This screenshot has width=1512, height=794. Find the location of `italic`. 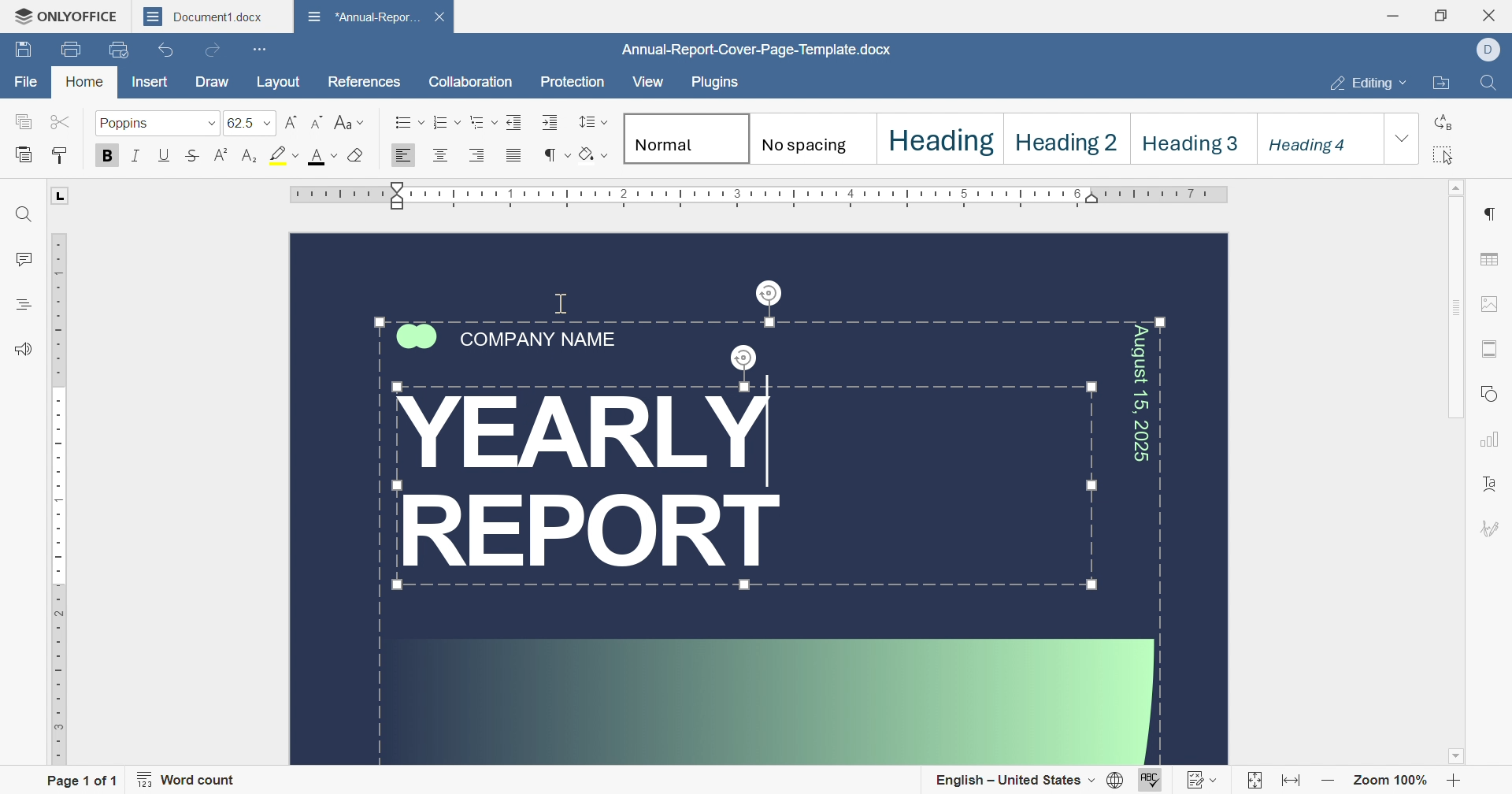

italic is located at coordinates (139, 158).